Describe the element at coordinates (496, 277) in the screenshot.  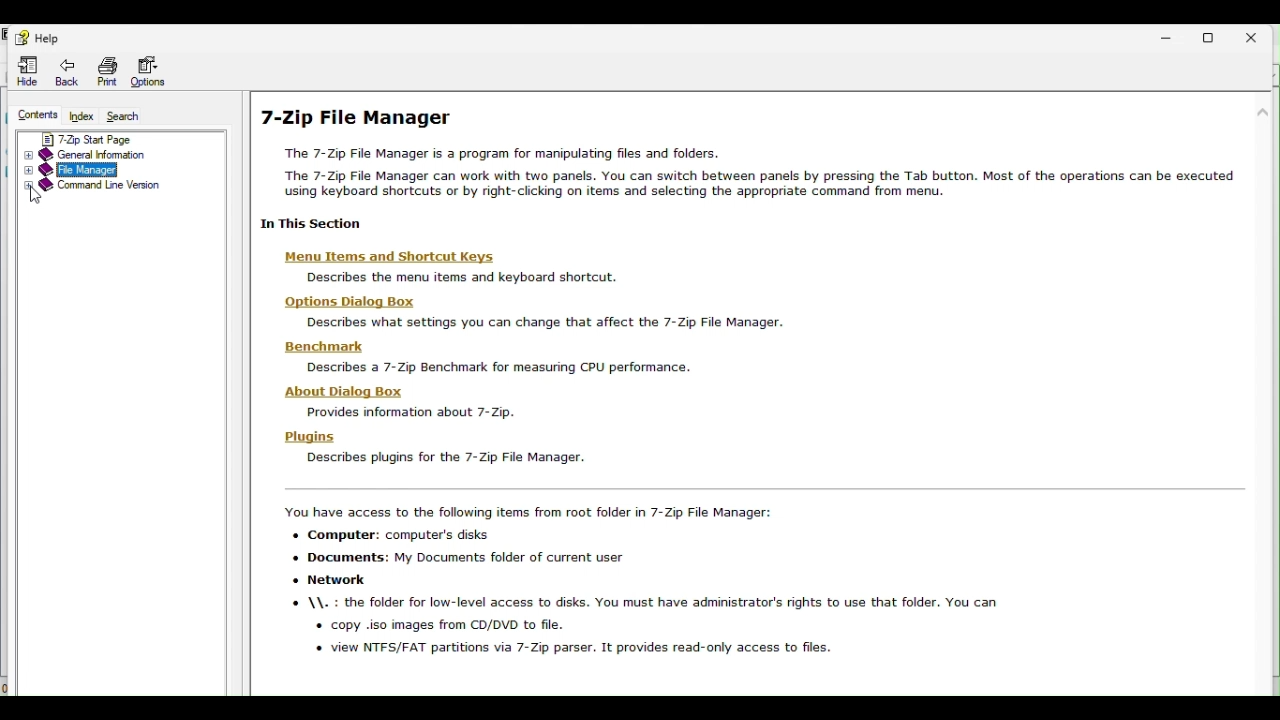
I see `description text` at that location.